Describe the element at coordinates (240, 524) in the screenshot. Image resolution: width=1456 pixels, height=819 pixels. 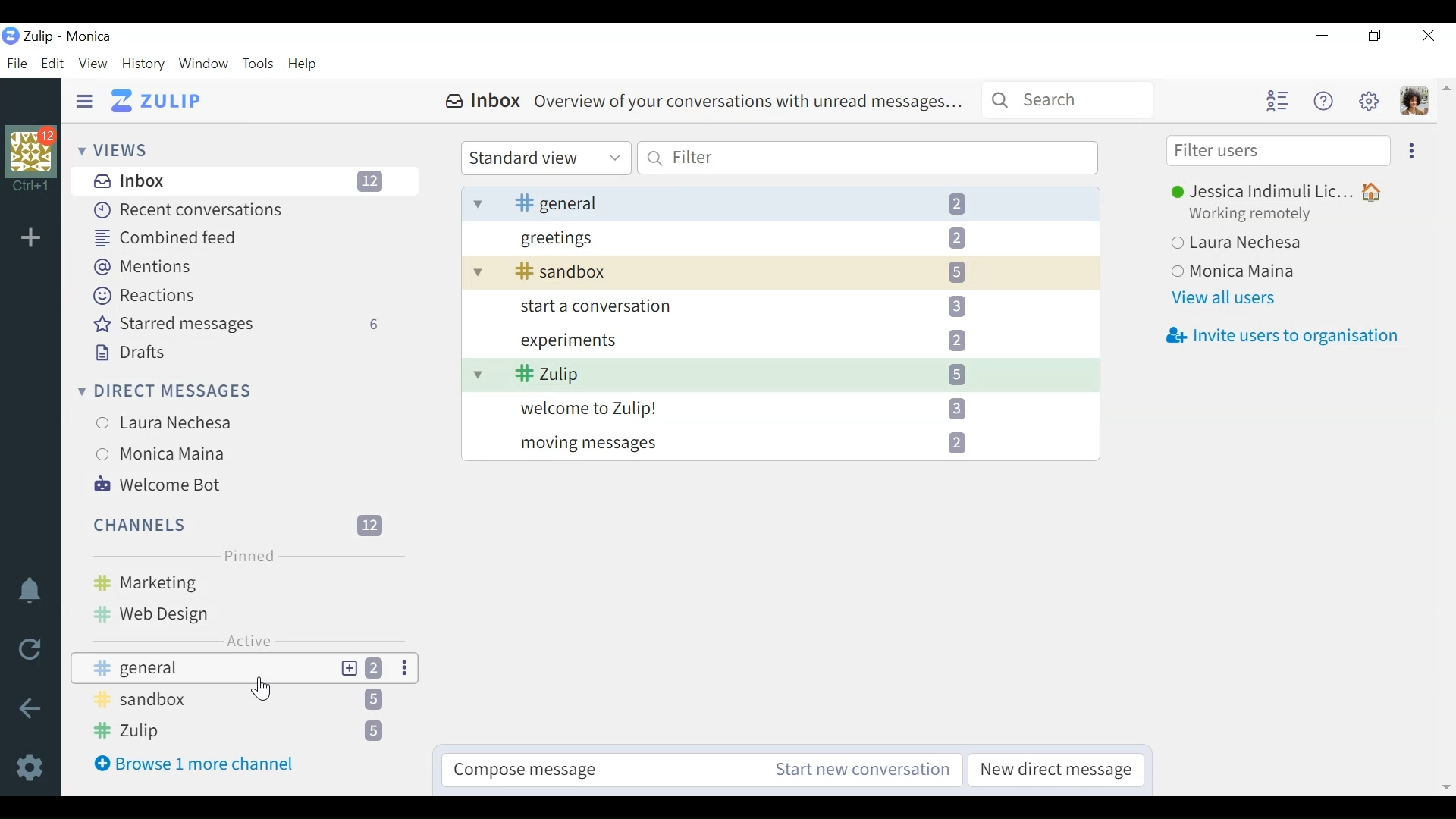
I see `Channels 12` at that location.